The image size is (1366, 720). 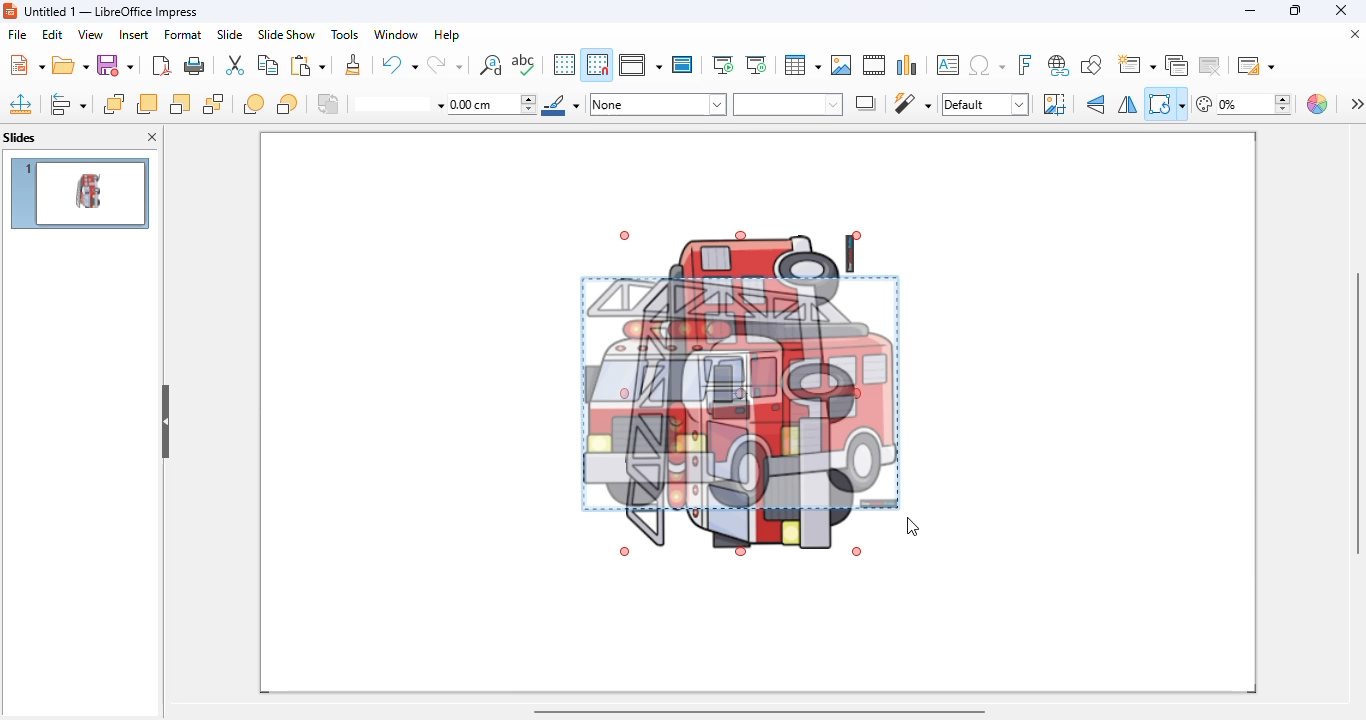 What do you see at coordinates (71, 66) in the screenshot?
I see `open` at bounding box center [71, 66].